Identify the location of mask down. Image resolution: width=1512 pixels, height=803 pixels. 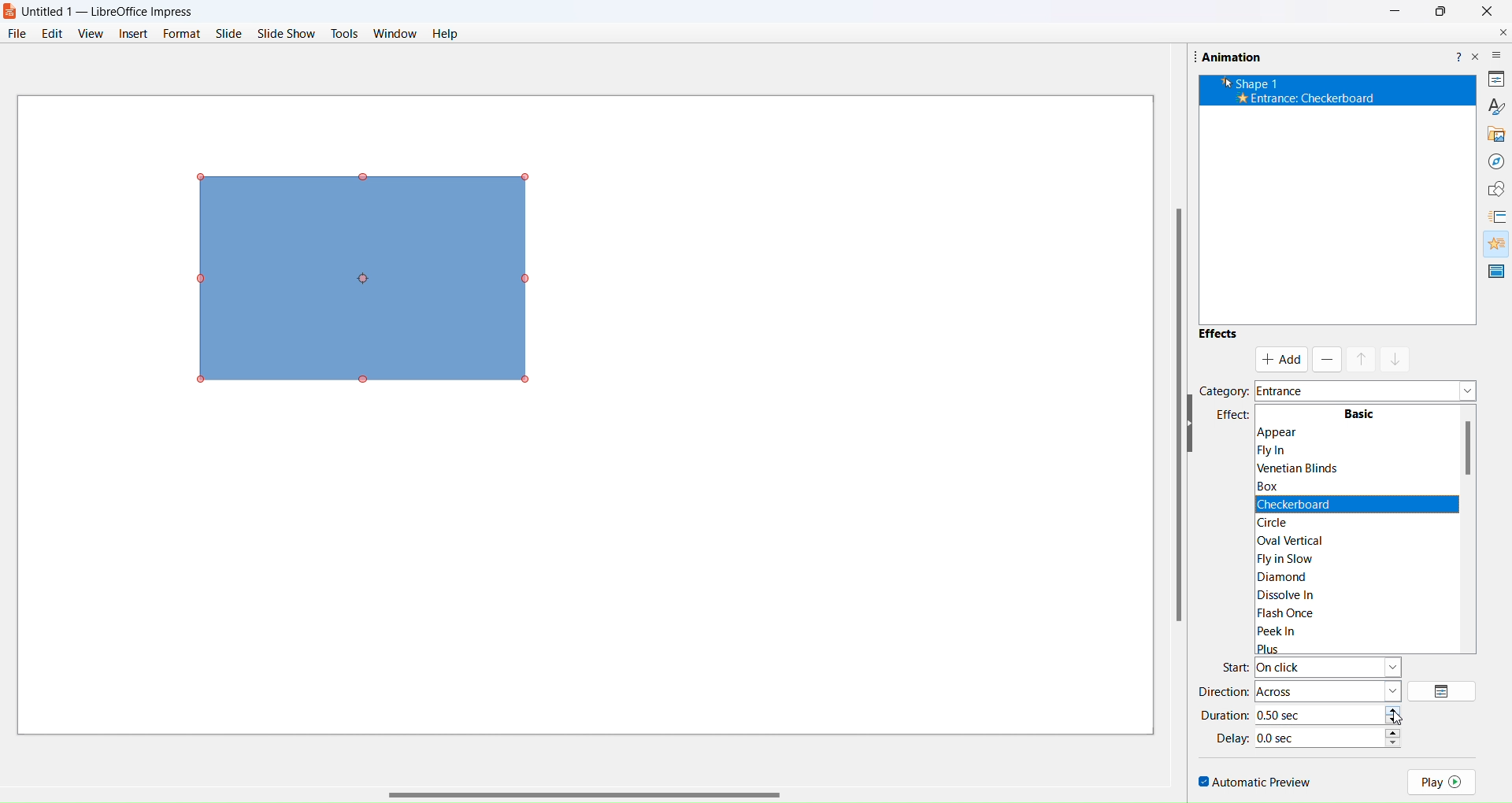
(1395, 358).